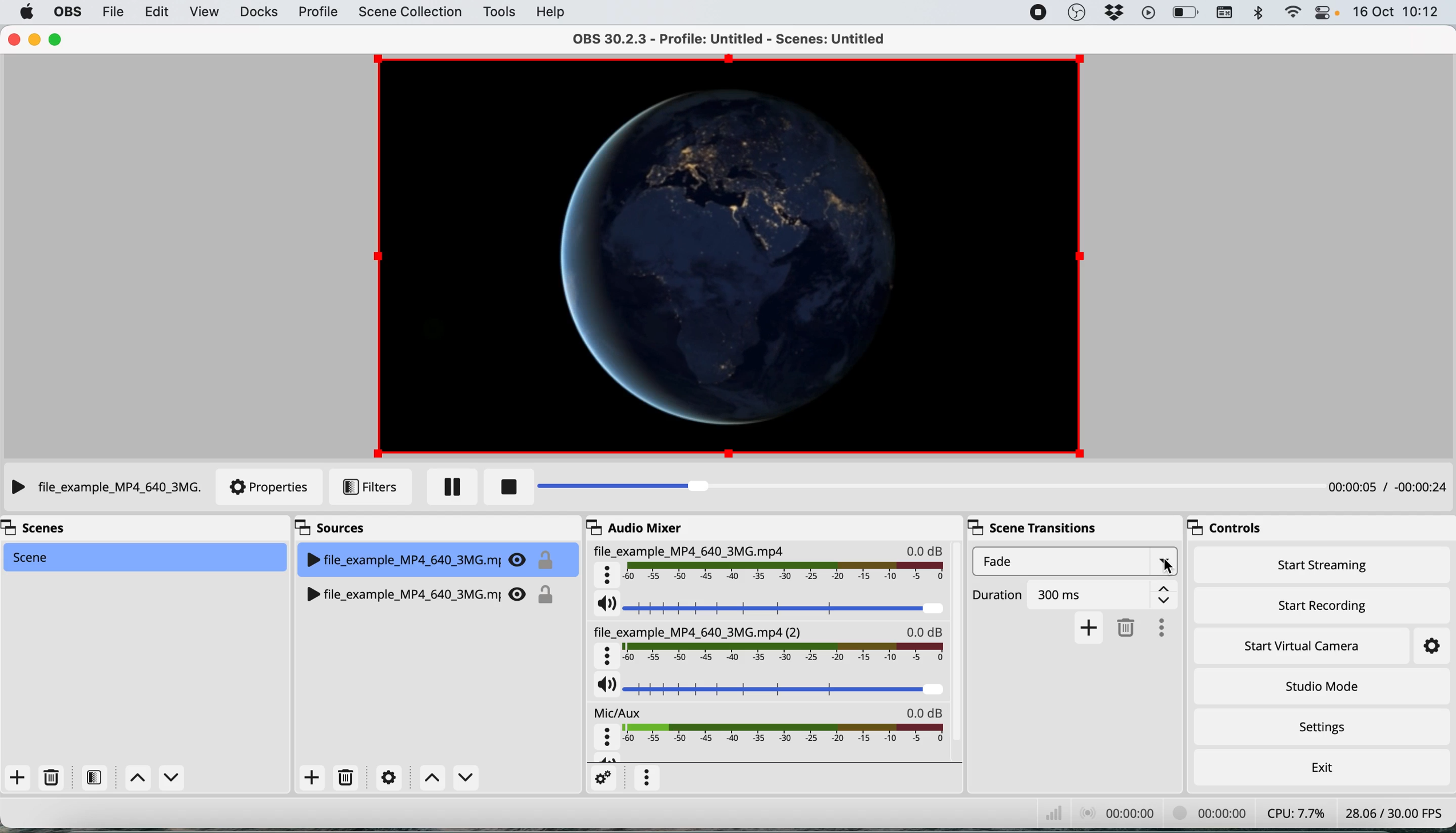  What do you see at coordinates (1434, 645) in the screenshot?
I see `settings` at bounding box center [1434, 645].